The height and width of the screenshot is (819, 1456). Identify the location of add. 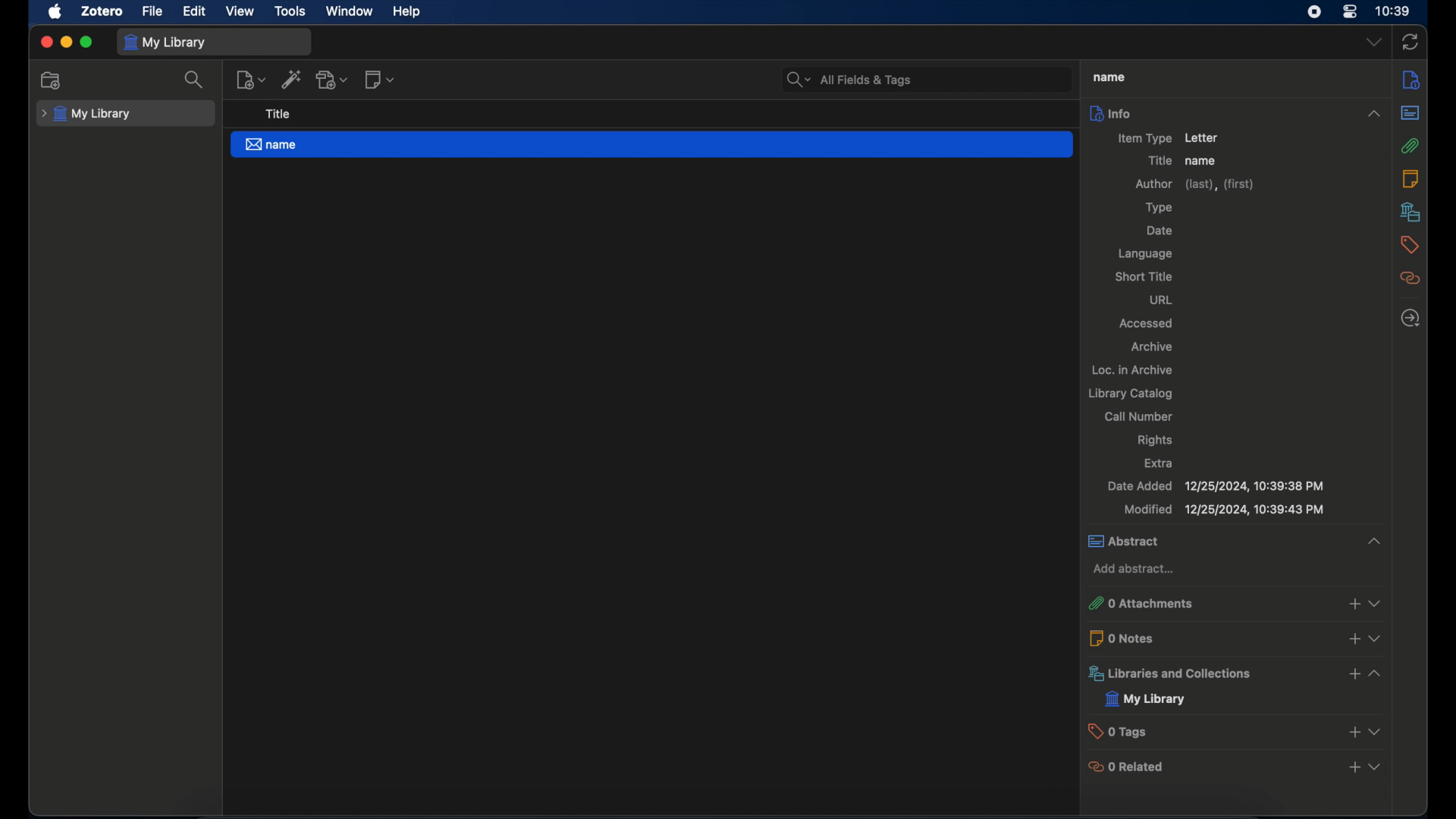
(1351, 639).